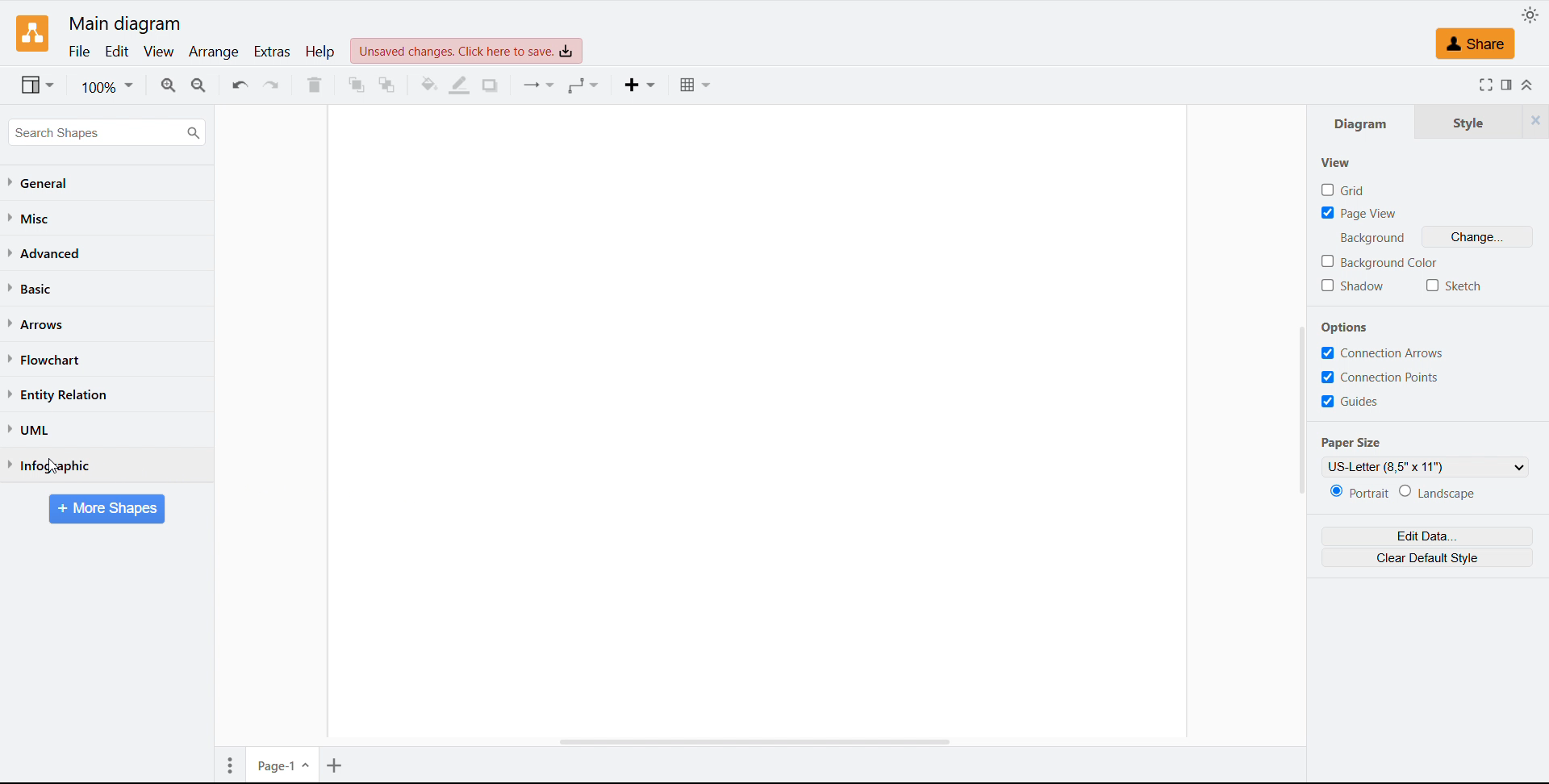 The height and width of the screenshot is (784, 1549). I want to click on connection arrows , so click(1384, 353).